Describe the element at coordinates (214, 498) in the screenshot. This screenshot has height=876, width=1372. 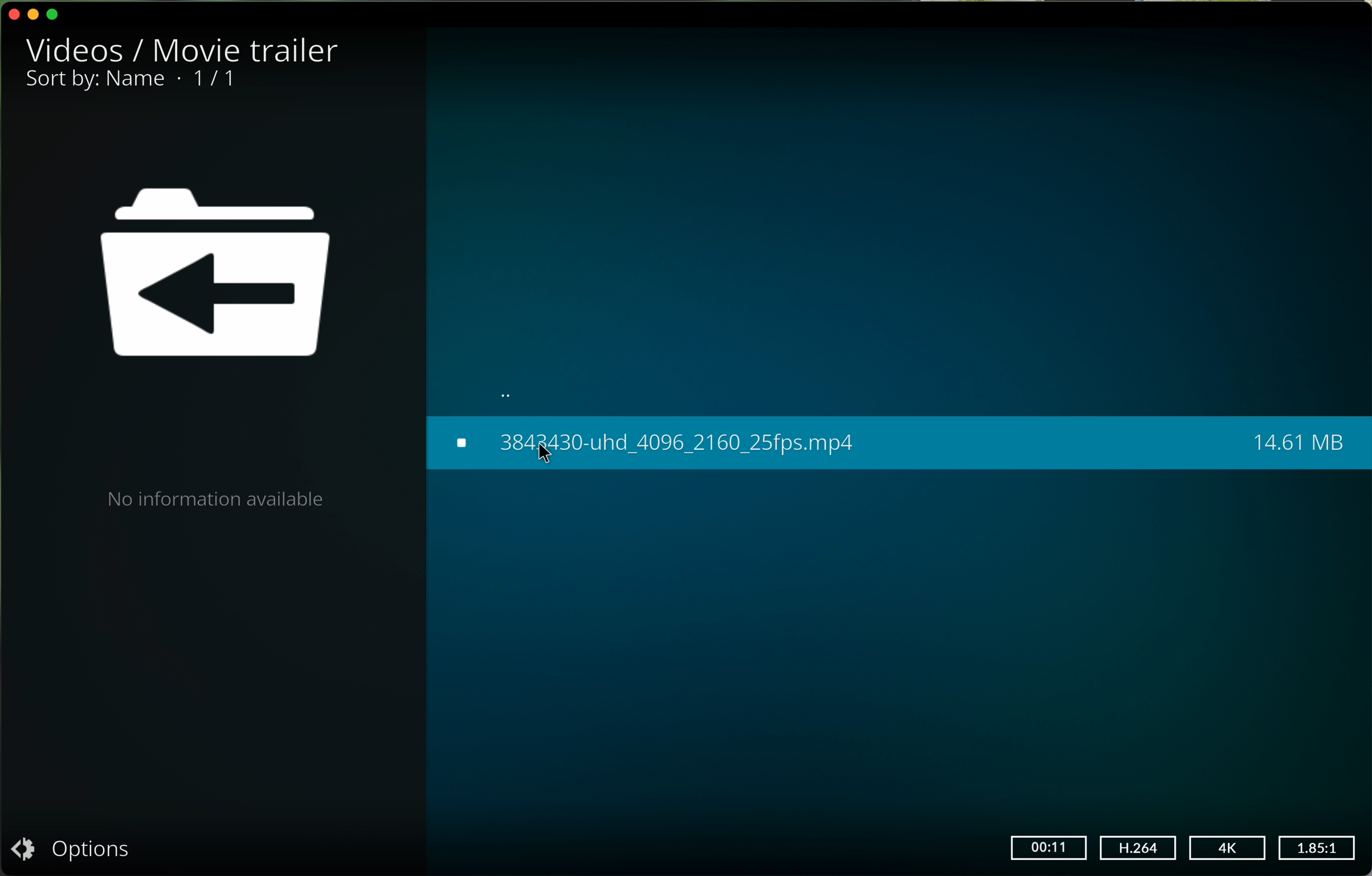
I see `no information available` at that location.